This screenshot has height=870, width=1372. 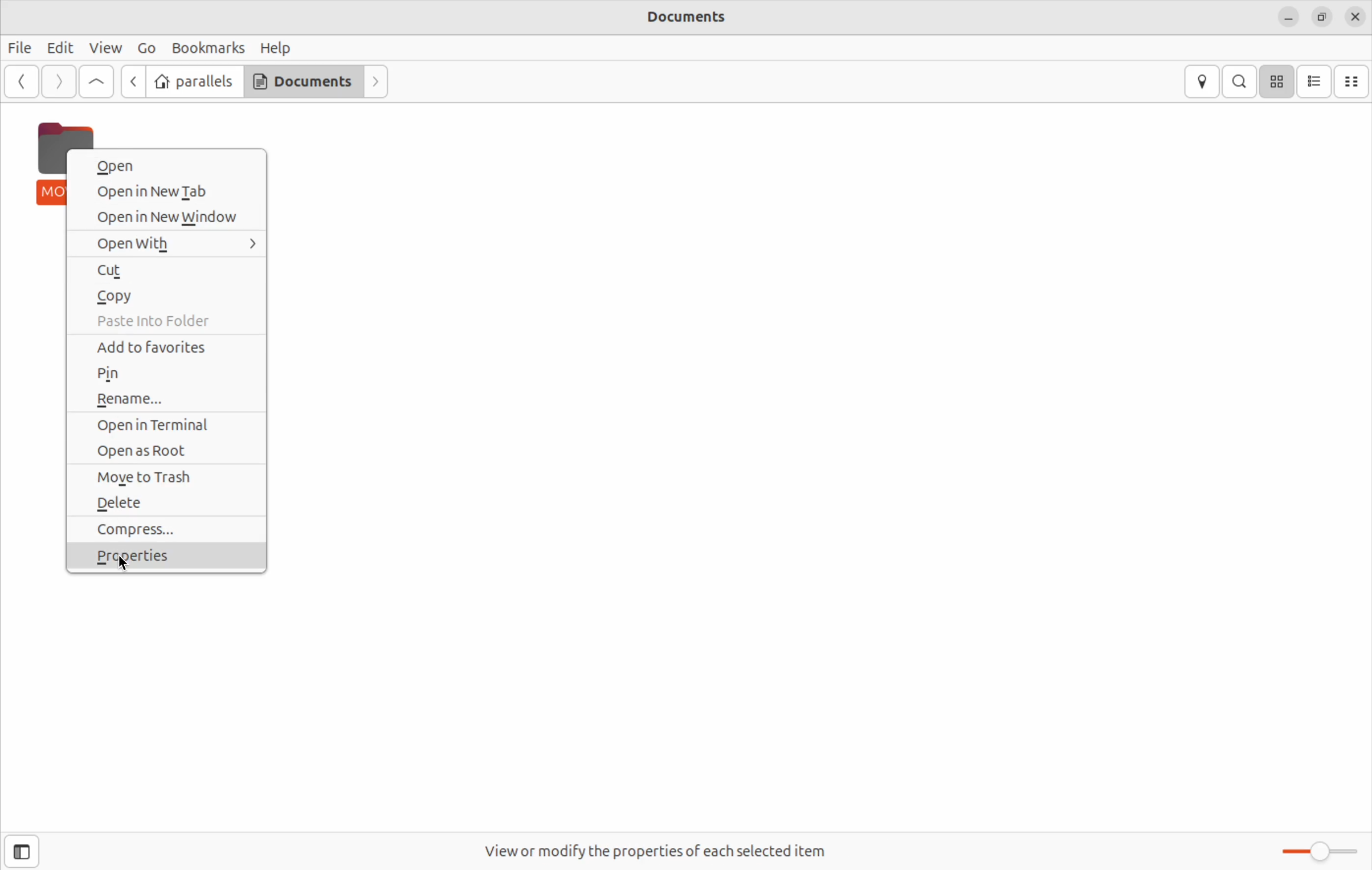 What do you see at coordinates (170, 349) in the screenshot?
I see `add to favourites` at bounding box center [170, 349].